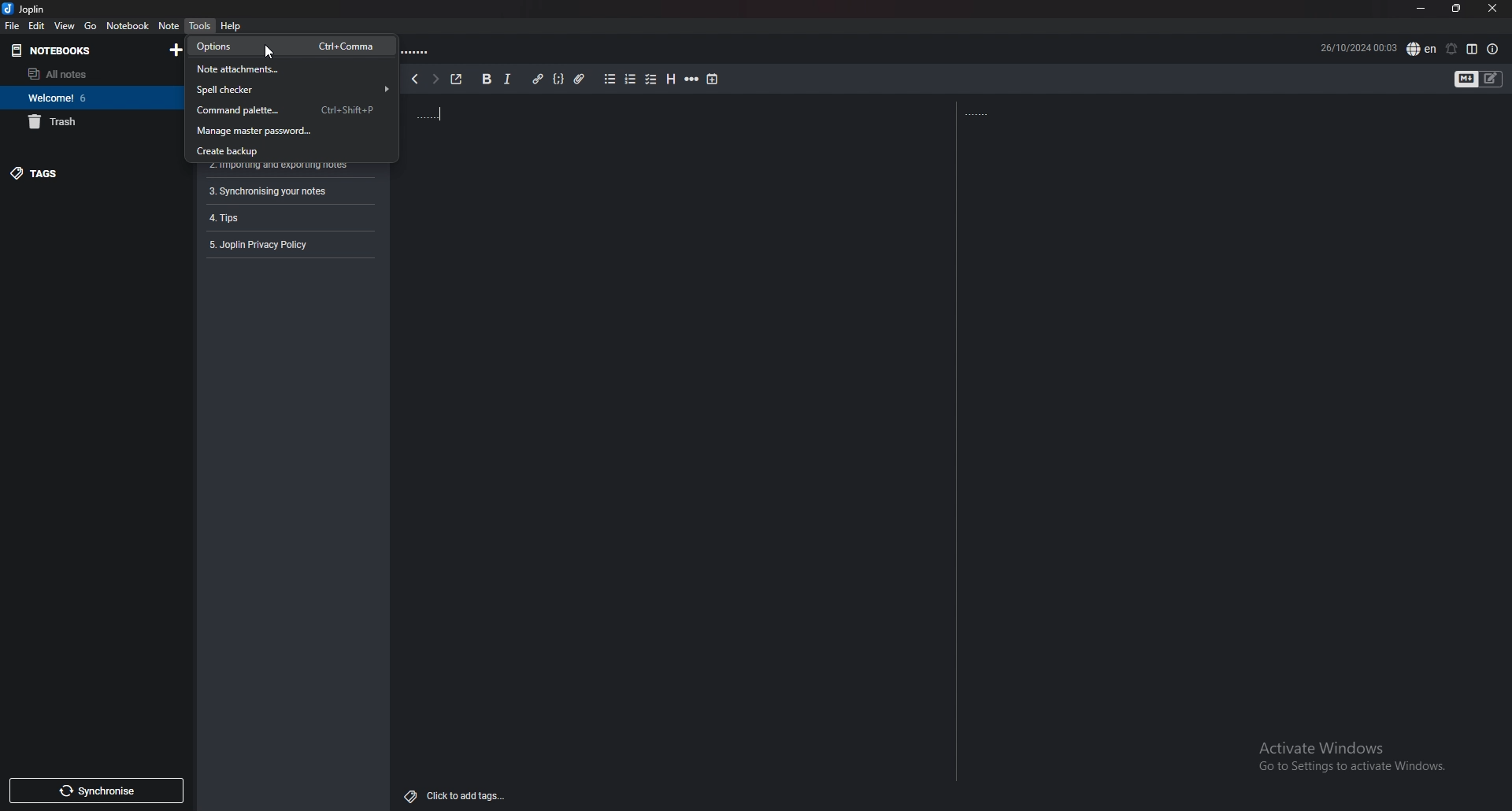 Image resolution: width=1512 pixels, height=811 pixels. Describe the element at coordinates (1492, 49) in the screenshot. I see `note properties` at that location.